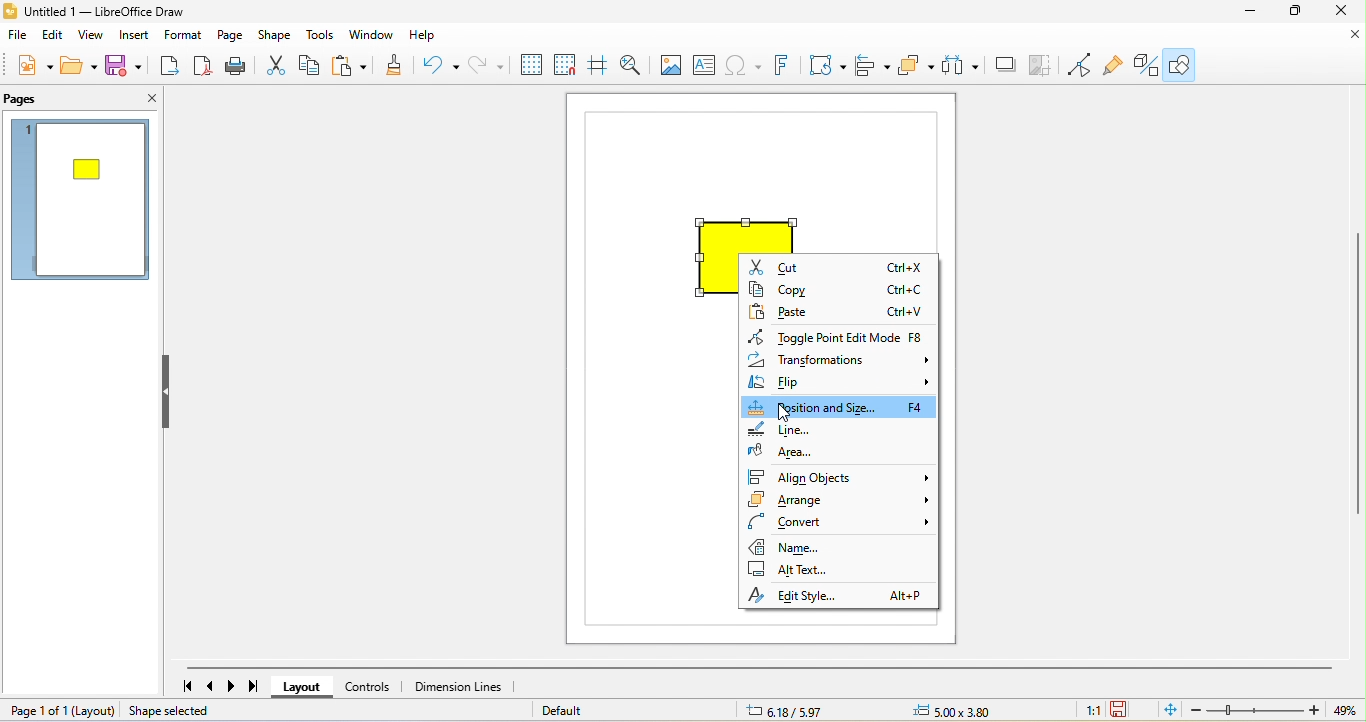 The image size is (1366, 722). I want to click on cut, so click(275, 65).